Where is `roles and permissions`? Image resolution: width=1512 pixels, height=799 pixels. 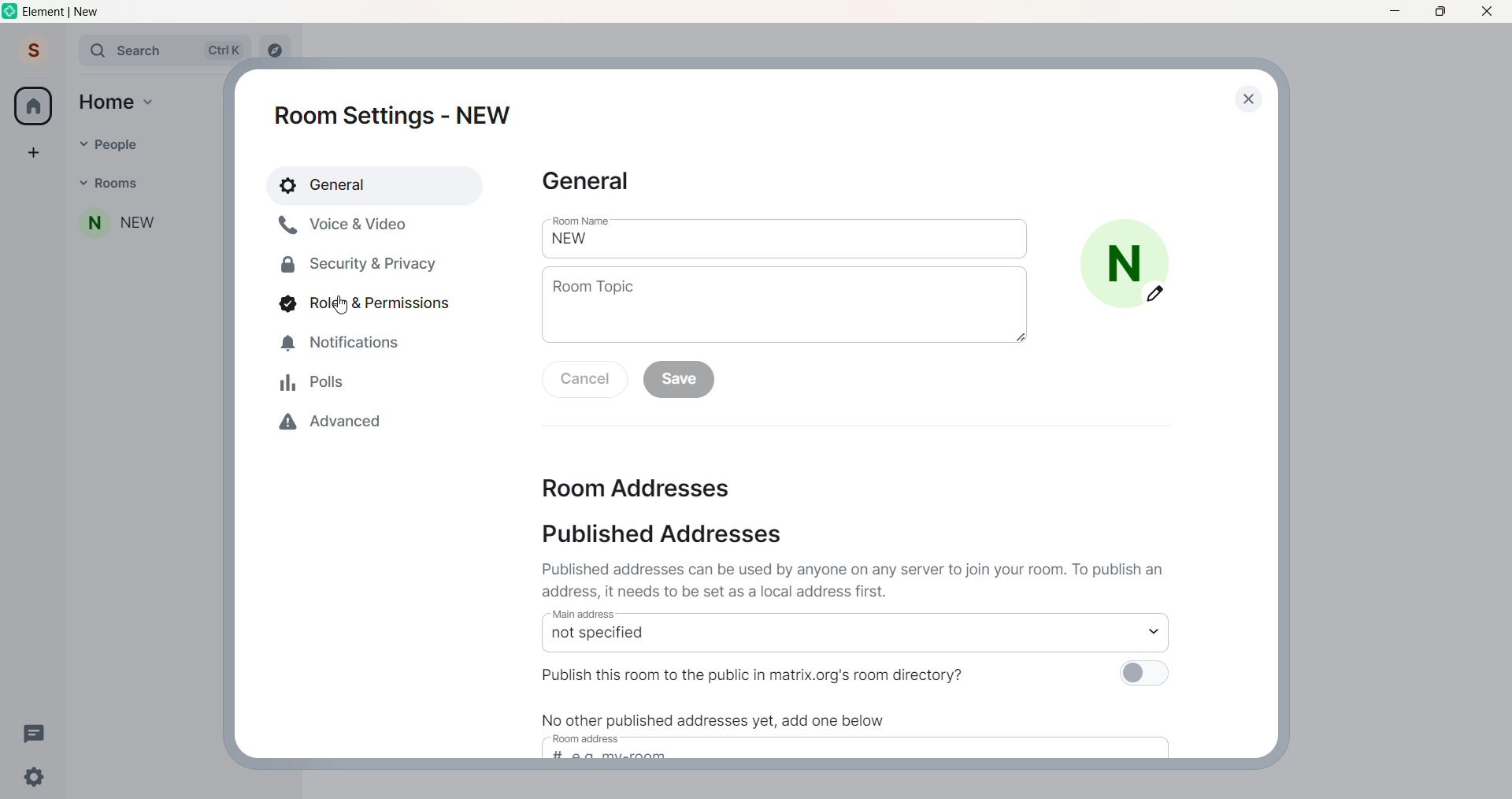 roles and permissions is located at coordinates (365, 303).